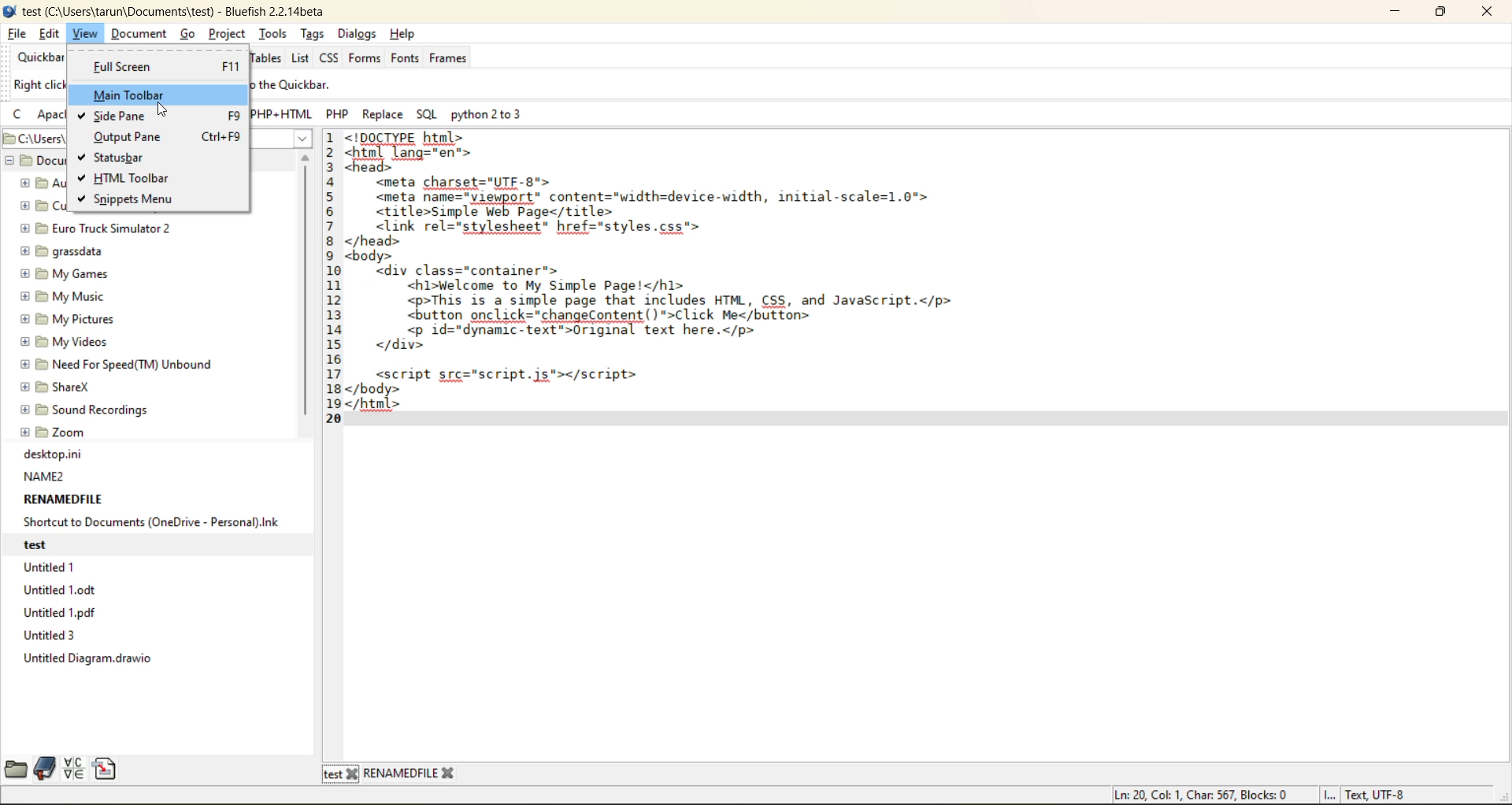 Image resolution: width=1512 pixels, height=805 pixels. Describe the element at coordinates (132, 94) in the screenshot. I see `main toolbar` at that location.